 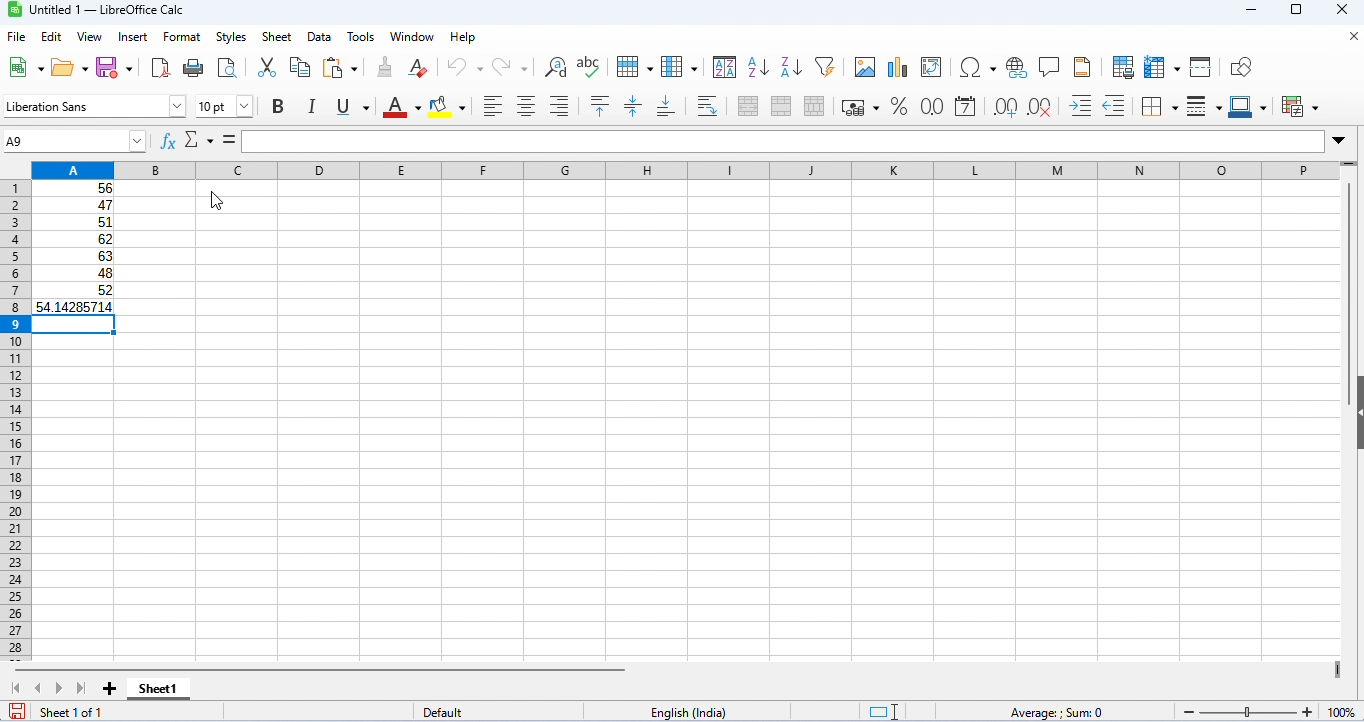 What do you see at coordinates (681, 169) in the screenshot?
I see `sum` at bounding box center [681, 169].